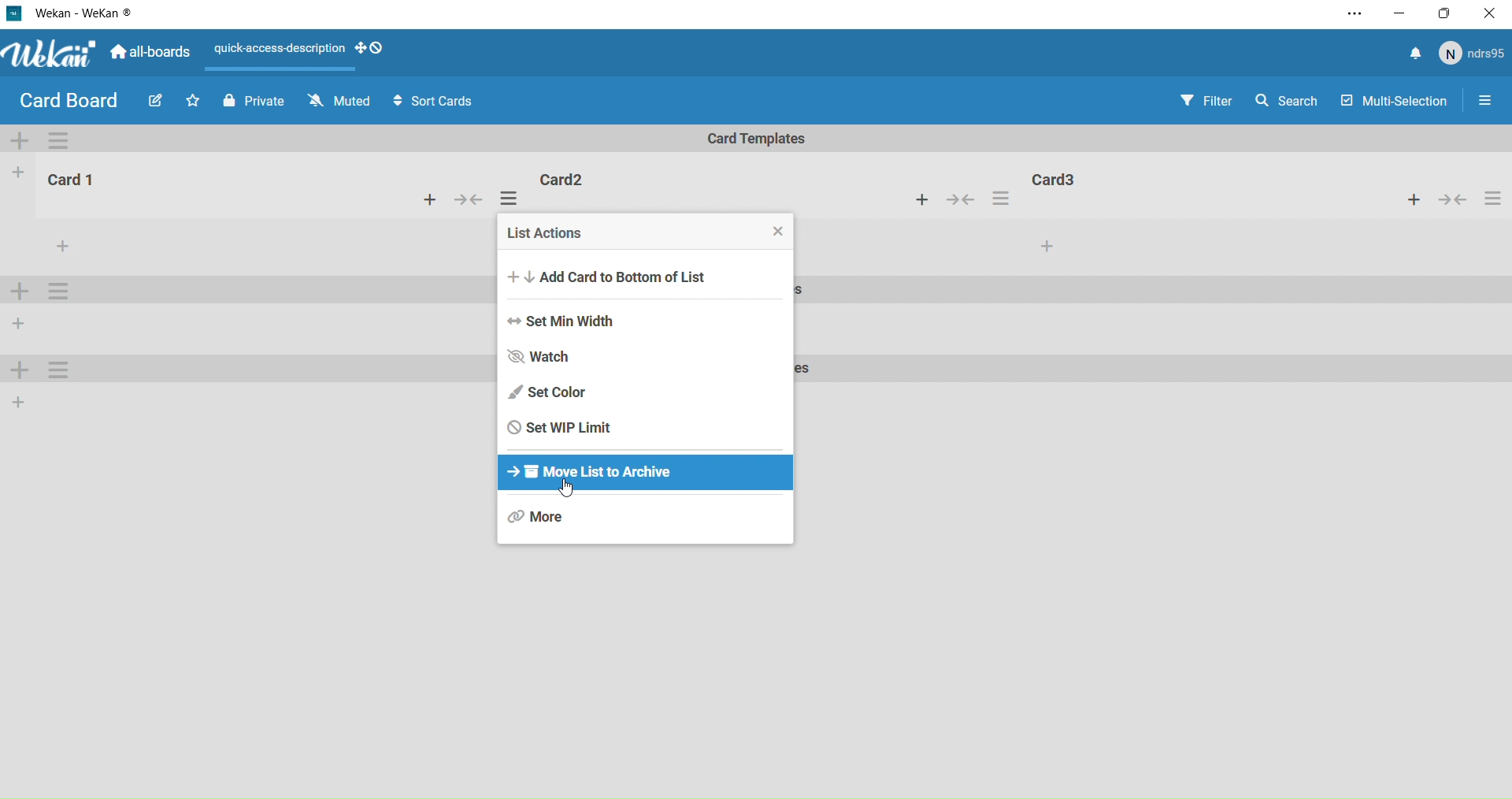  Describe the element at coordinates (1447, 13) in the screenshot. I see `Box` at that location.